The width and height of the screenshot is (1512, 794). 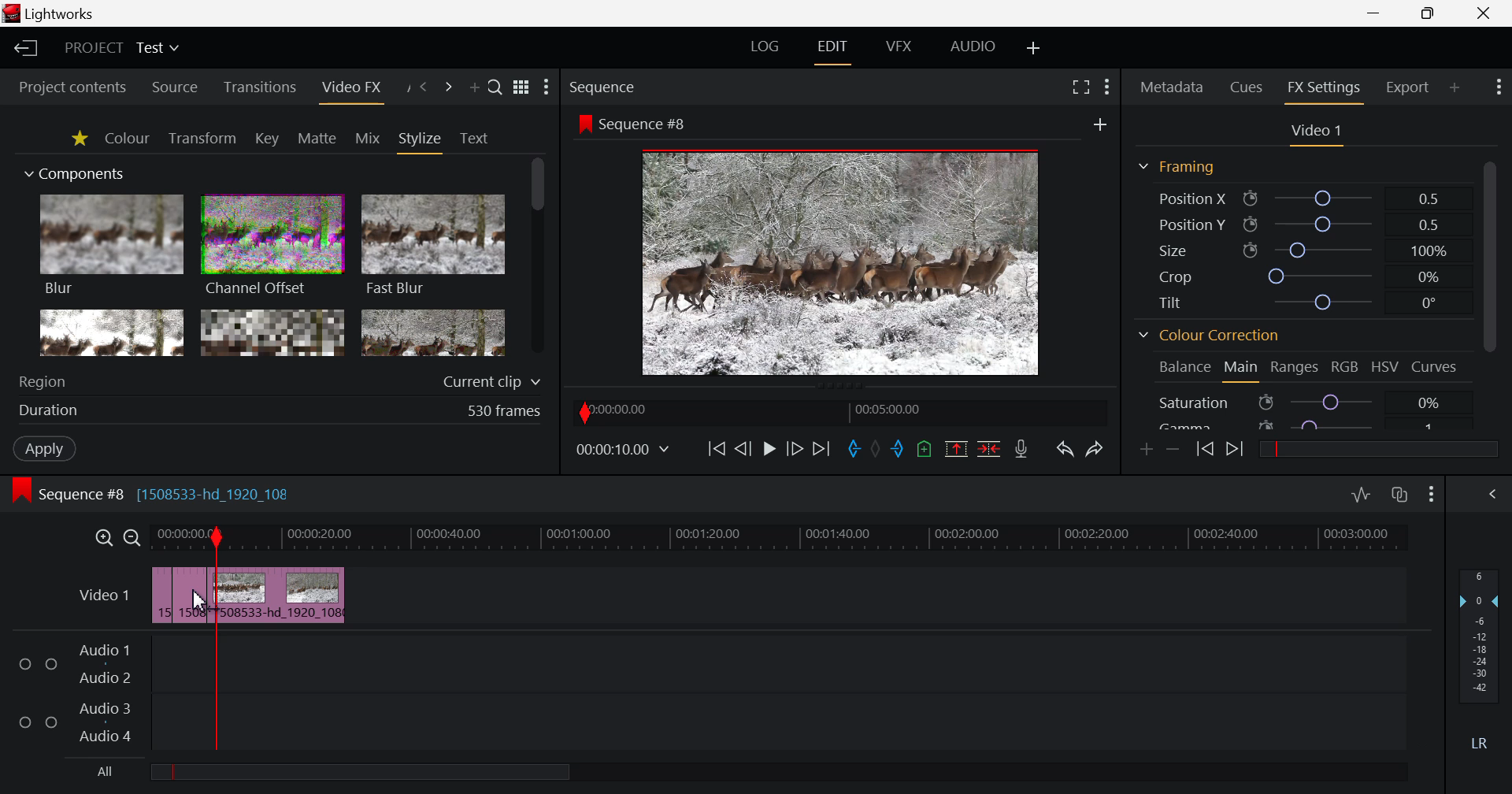 I want to click on Delete/Cut, so click(x=989, y=449).